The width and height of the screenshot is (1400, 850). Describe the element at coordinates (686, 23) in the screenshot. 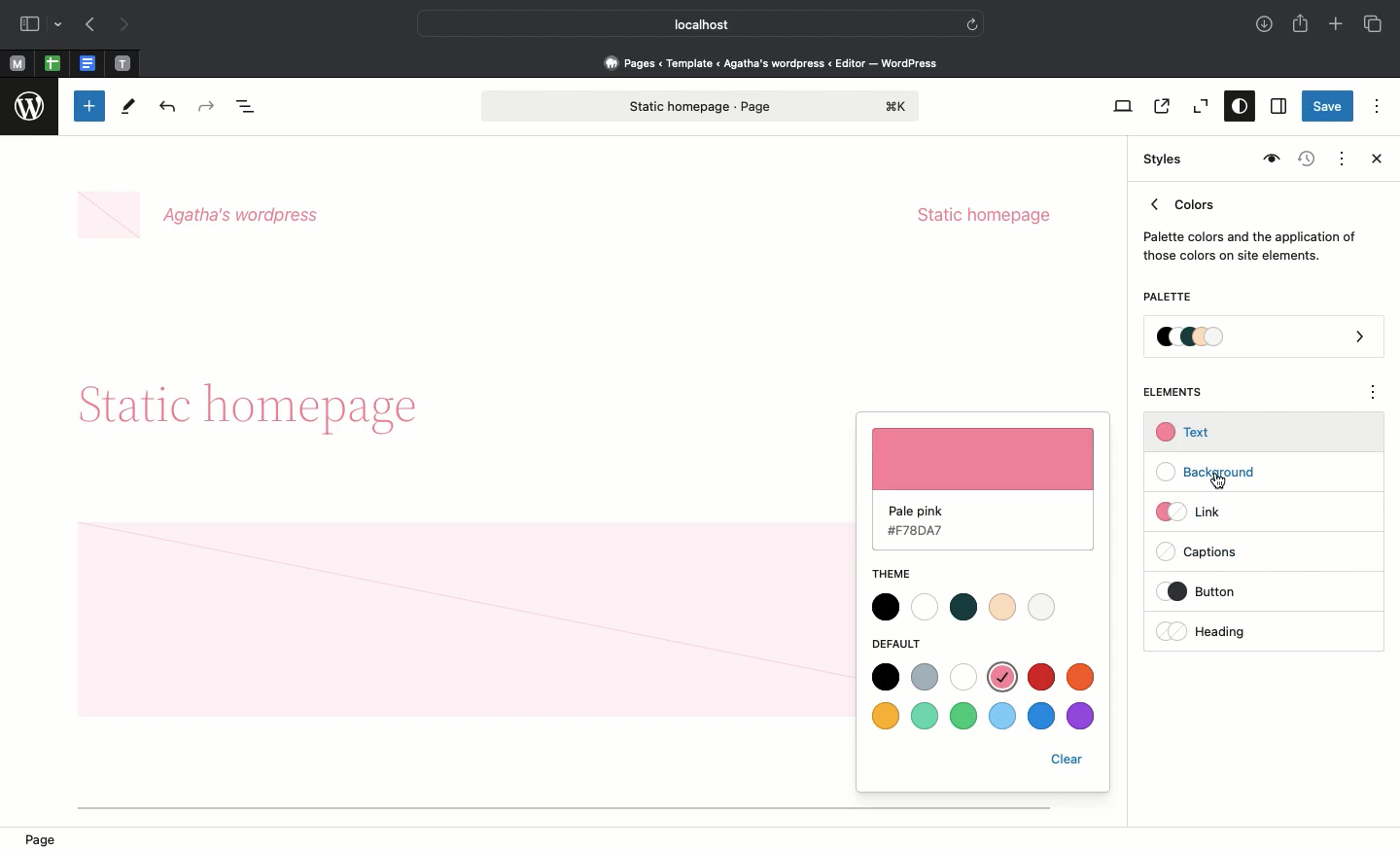

I see `Local host` at that location.